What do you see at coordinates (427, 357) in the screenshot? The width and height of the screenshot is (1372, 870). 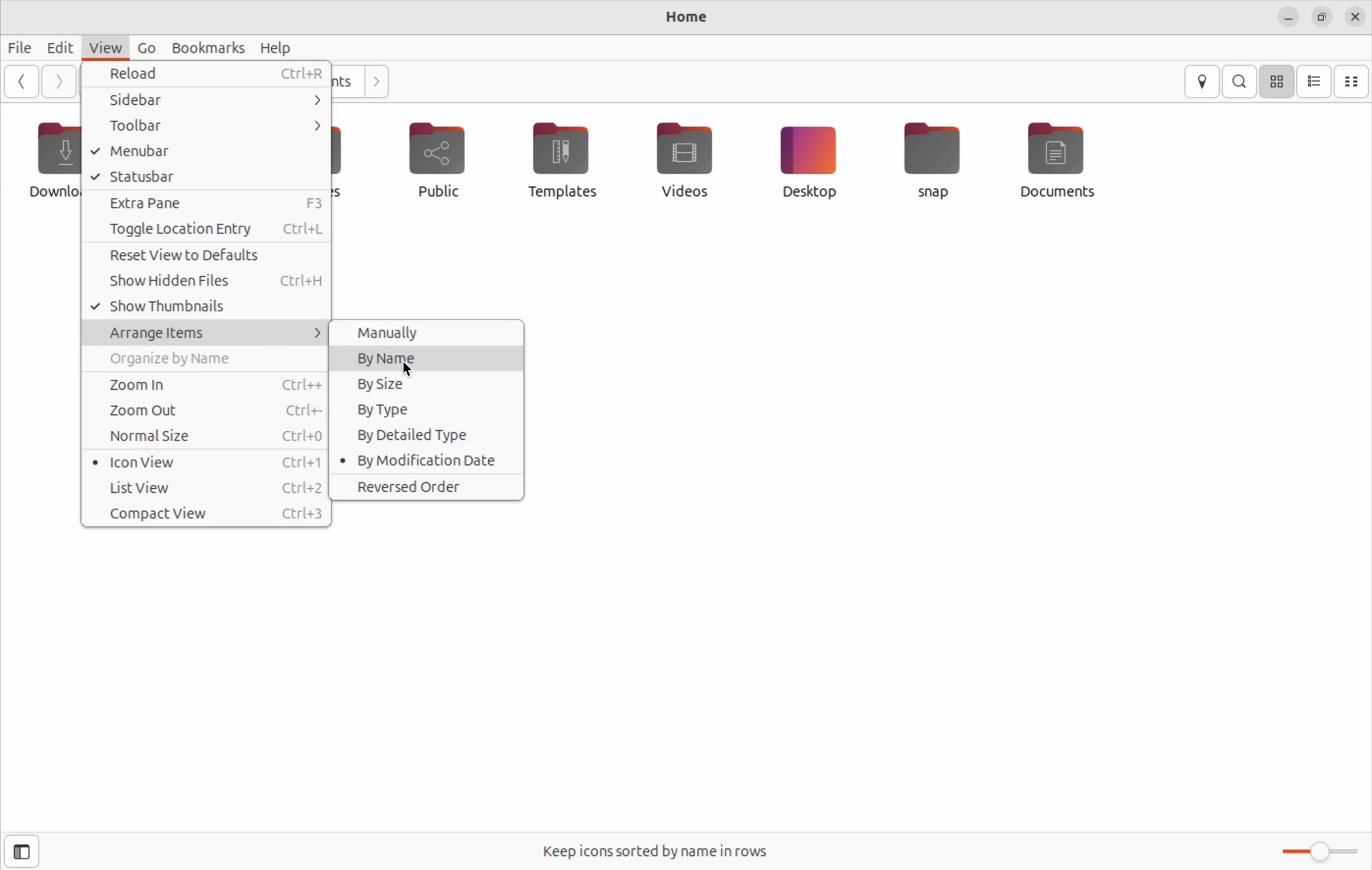 I see `by name` at bounding box center [427, 357].